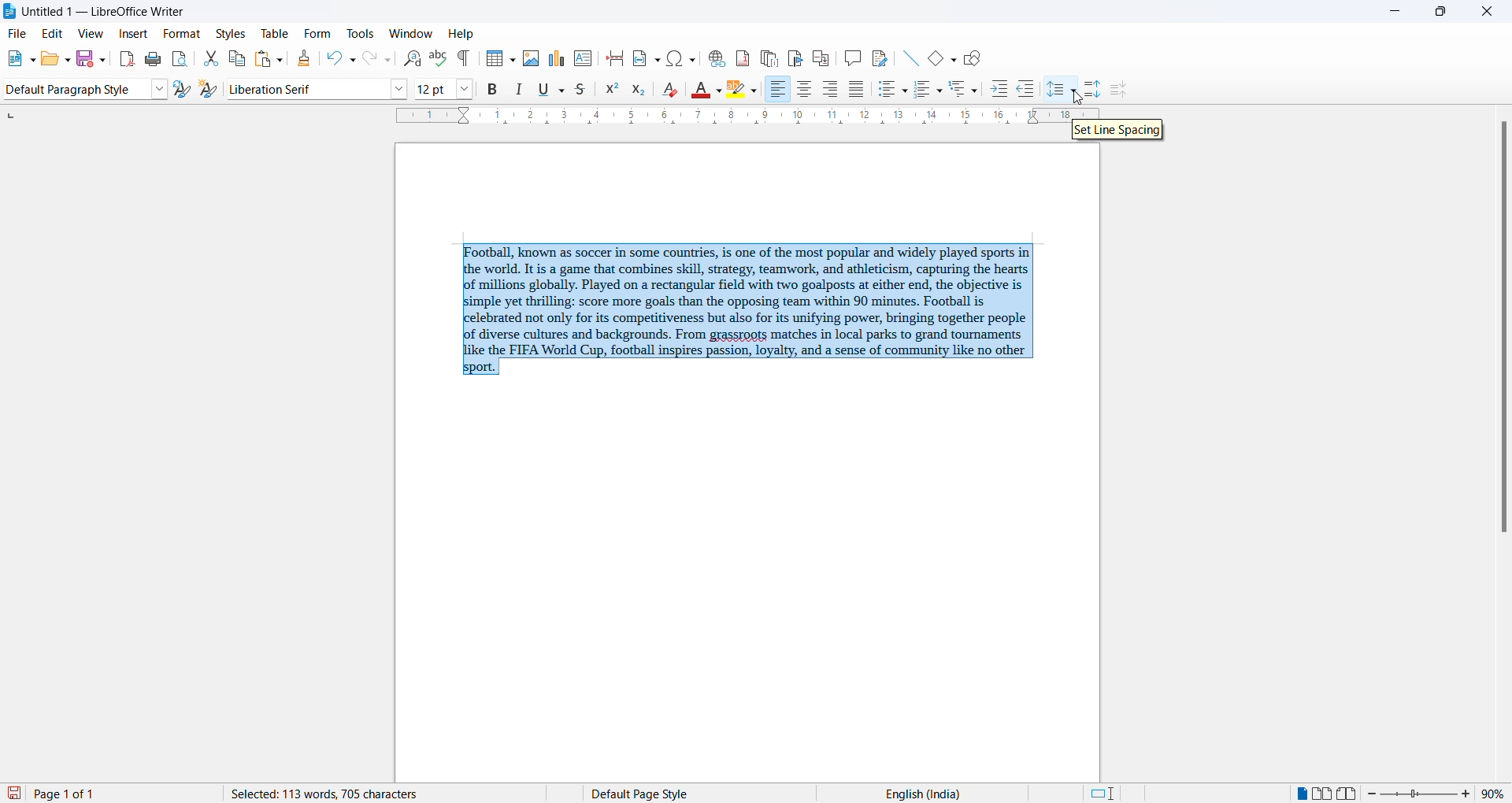 The image size is (1512, 803). Describe the element at coordinates (1503, 325) in the screenshot. I see `scrollbar` at that location.